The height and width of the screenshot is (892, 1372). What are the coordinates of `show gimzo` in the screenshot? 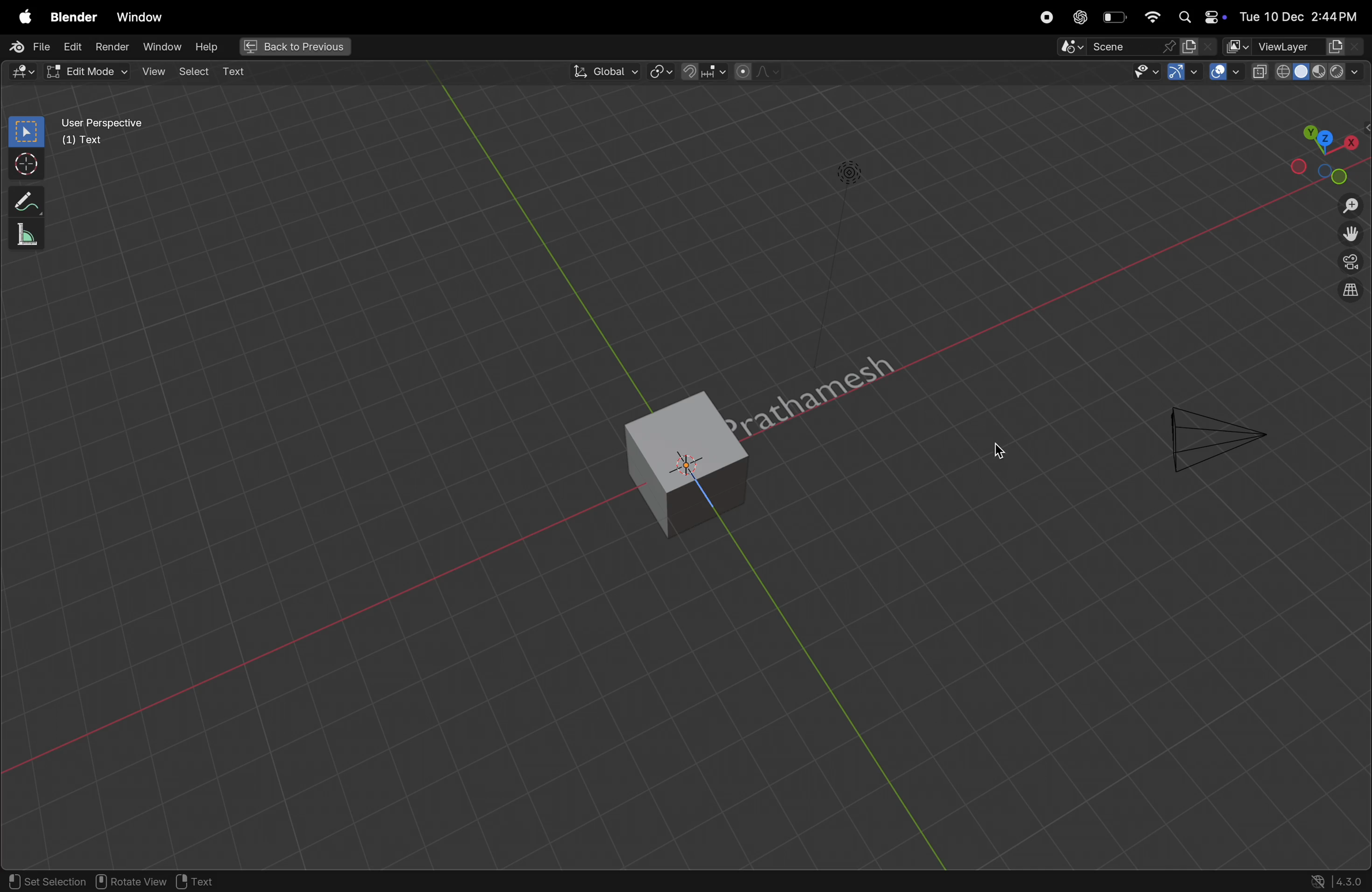 It's located at (1182, 74).